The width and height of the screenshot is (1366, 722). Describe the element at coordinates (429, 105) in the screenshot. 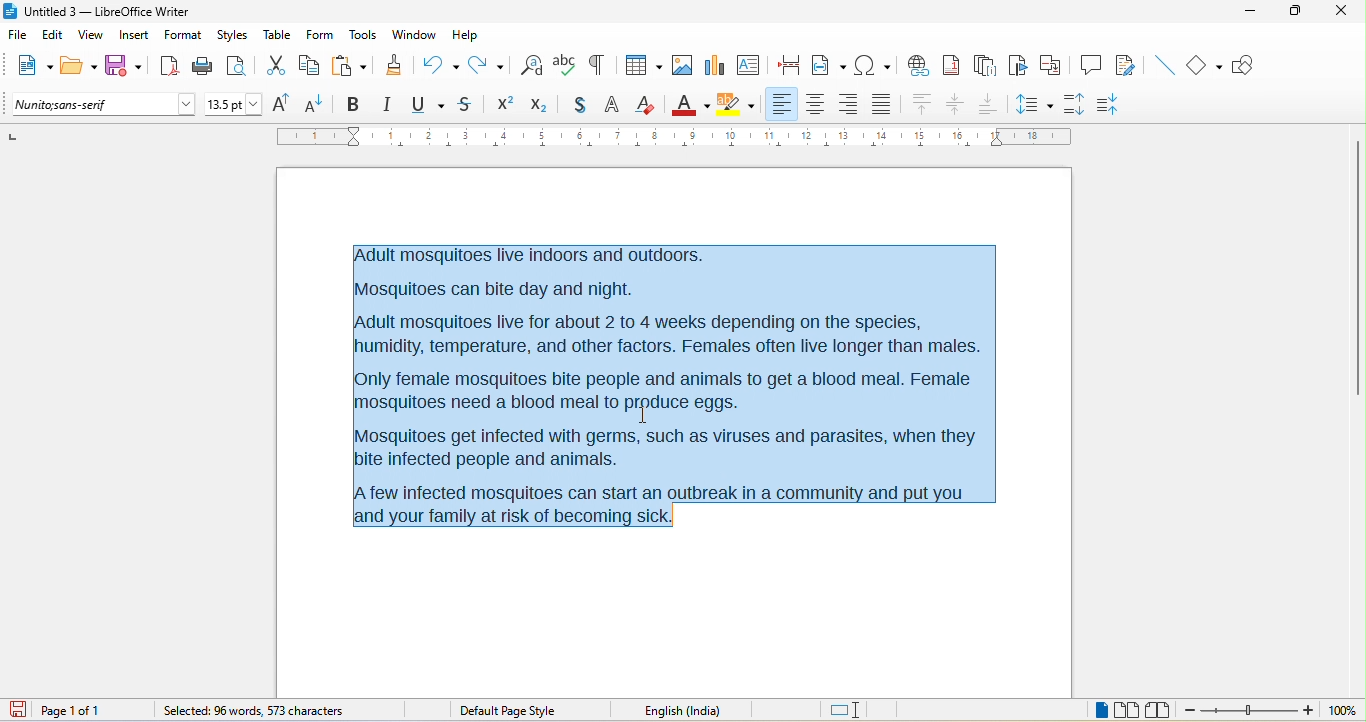

I see `underline` at that location.